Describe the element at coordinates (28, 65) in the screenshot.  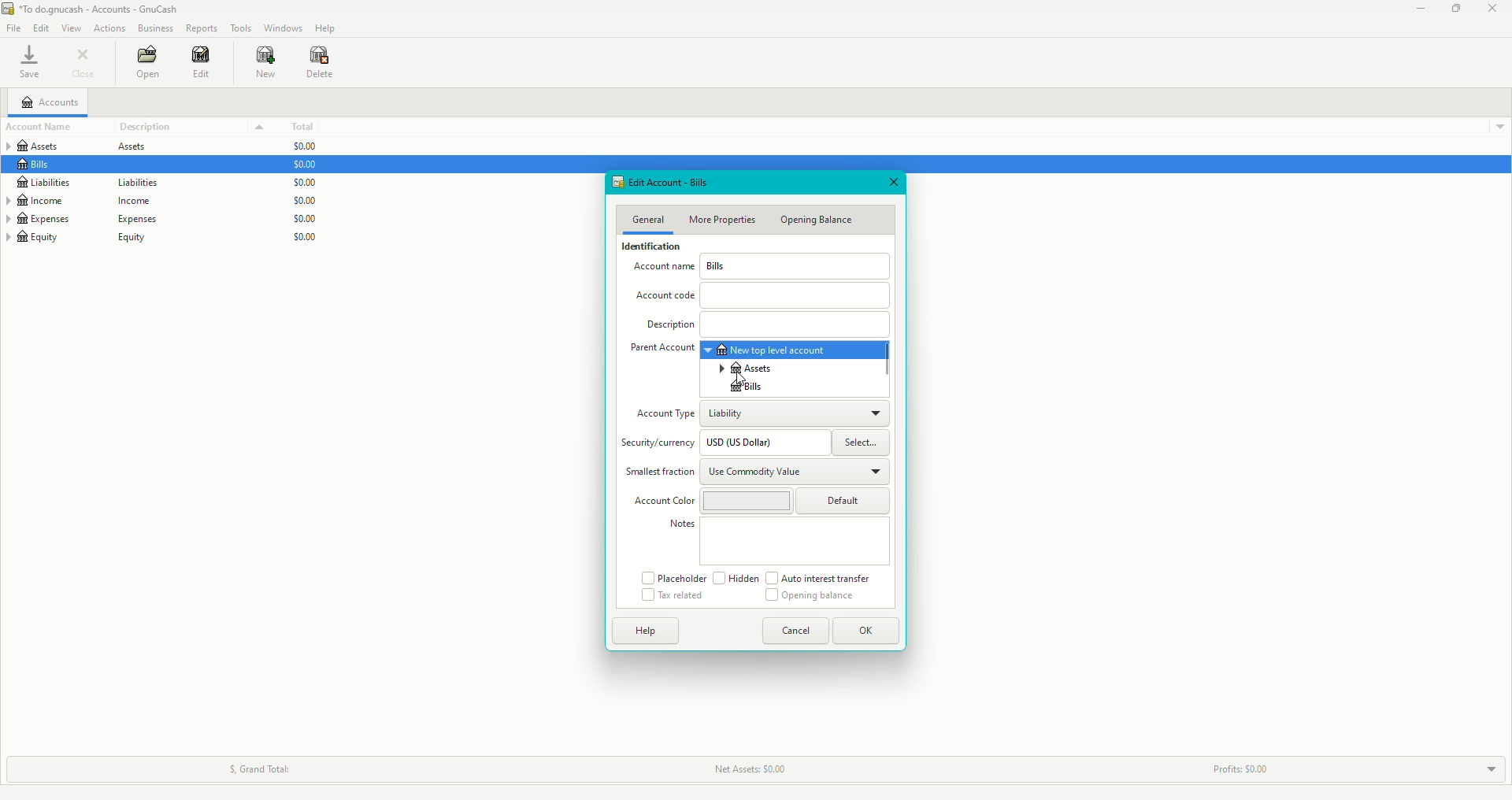
I see `Save` at that location.